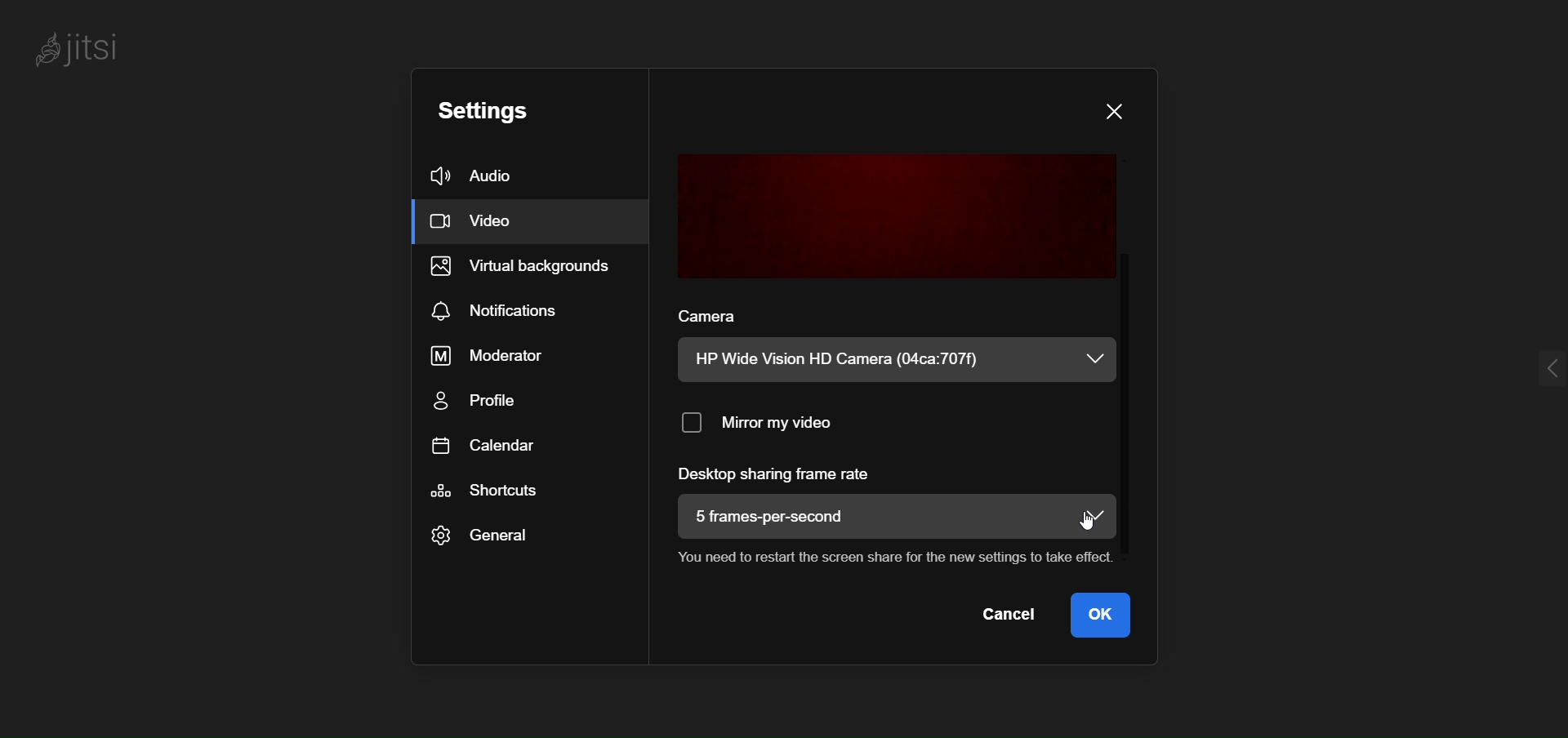 The height and width of the screenshot is (738, 1568). I want to click on setting, so click(505, 111).